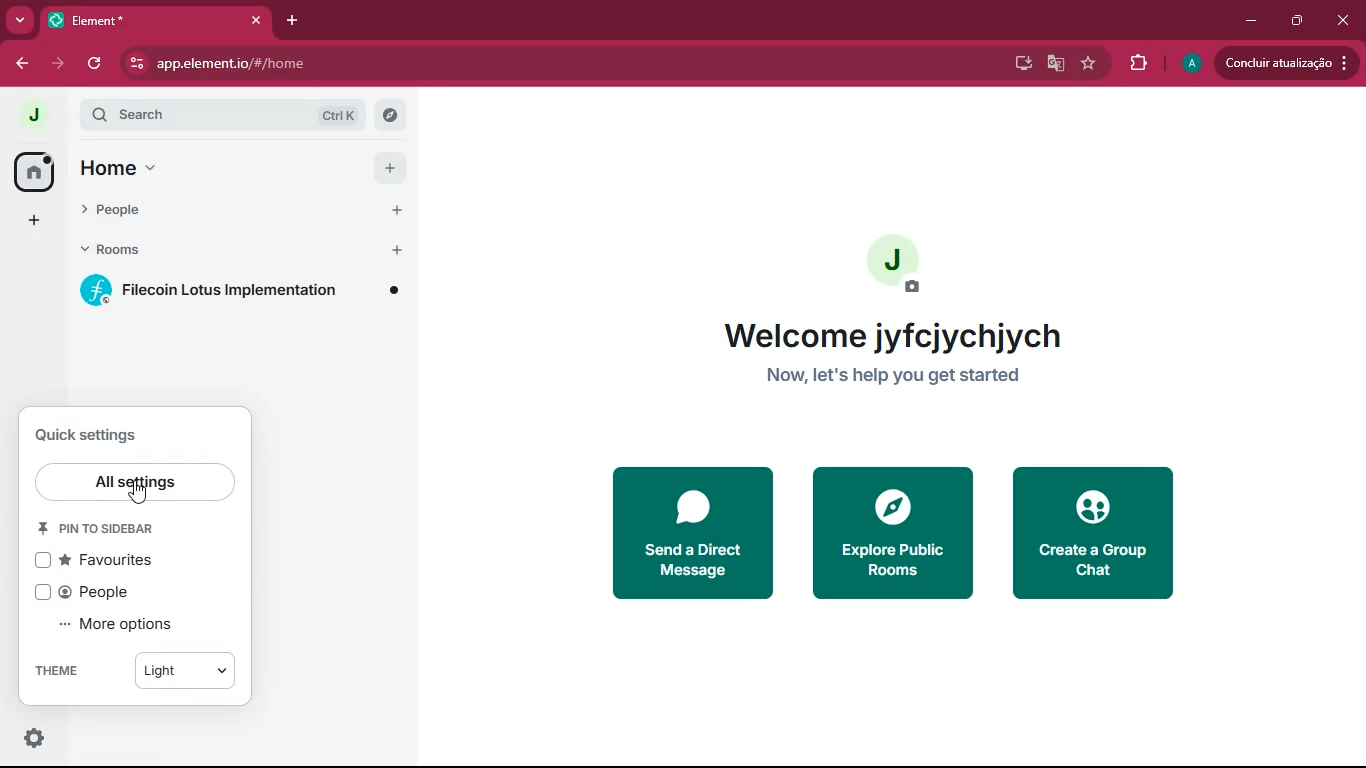 This screenshot has width=1366, height=768. What do you see at coordinates (695, 533) in the screenshot?
I see `send a direct message` at bounding box center [695, 533].